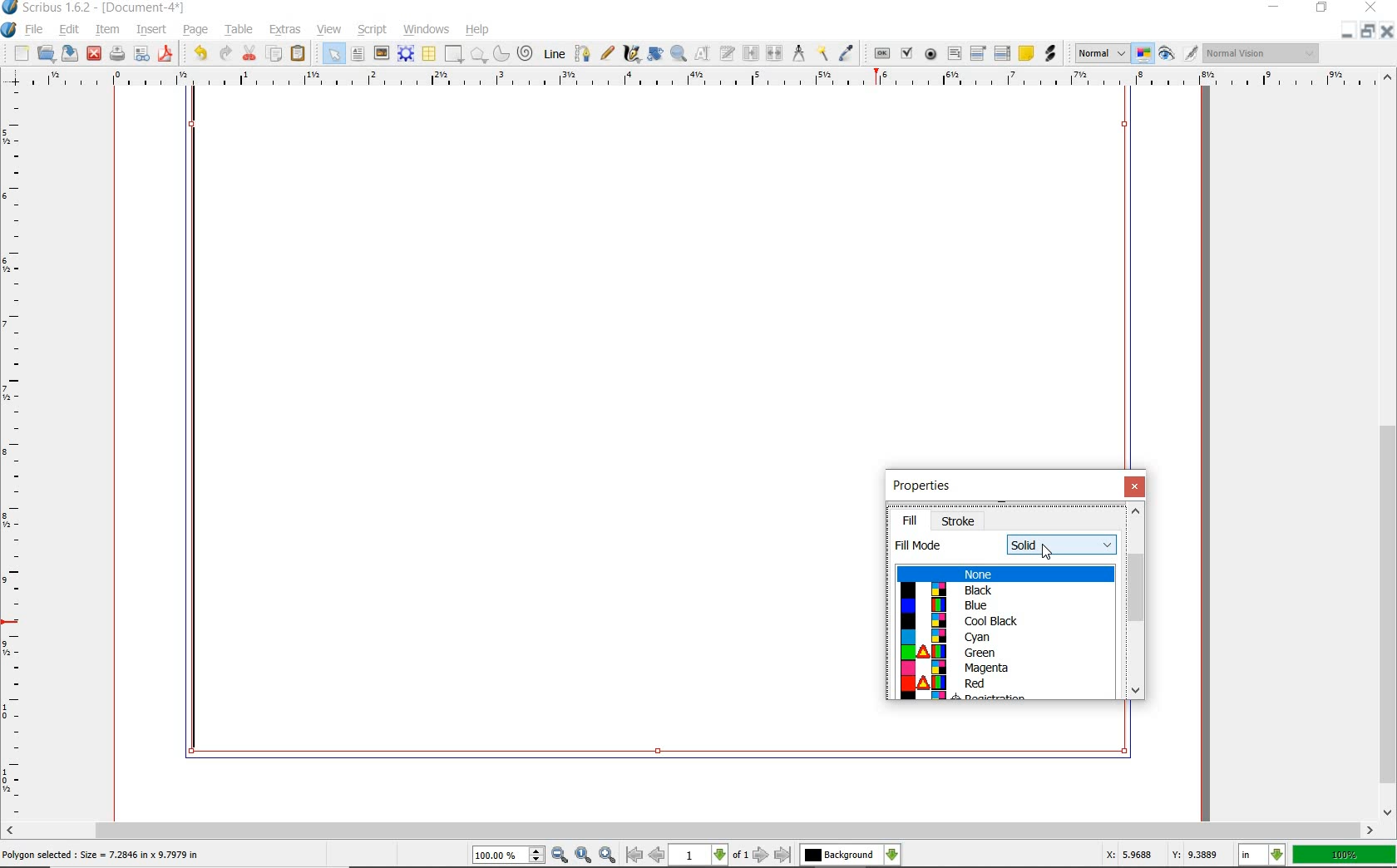  What do you see at coordinates (1005, 589) in the screenshot?
I see `Black` at bounding box center [1005, 589].